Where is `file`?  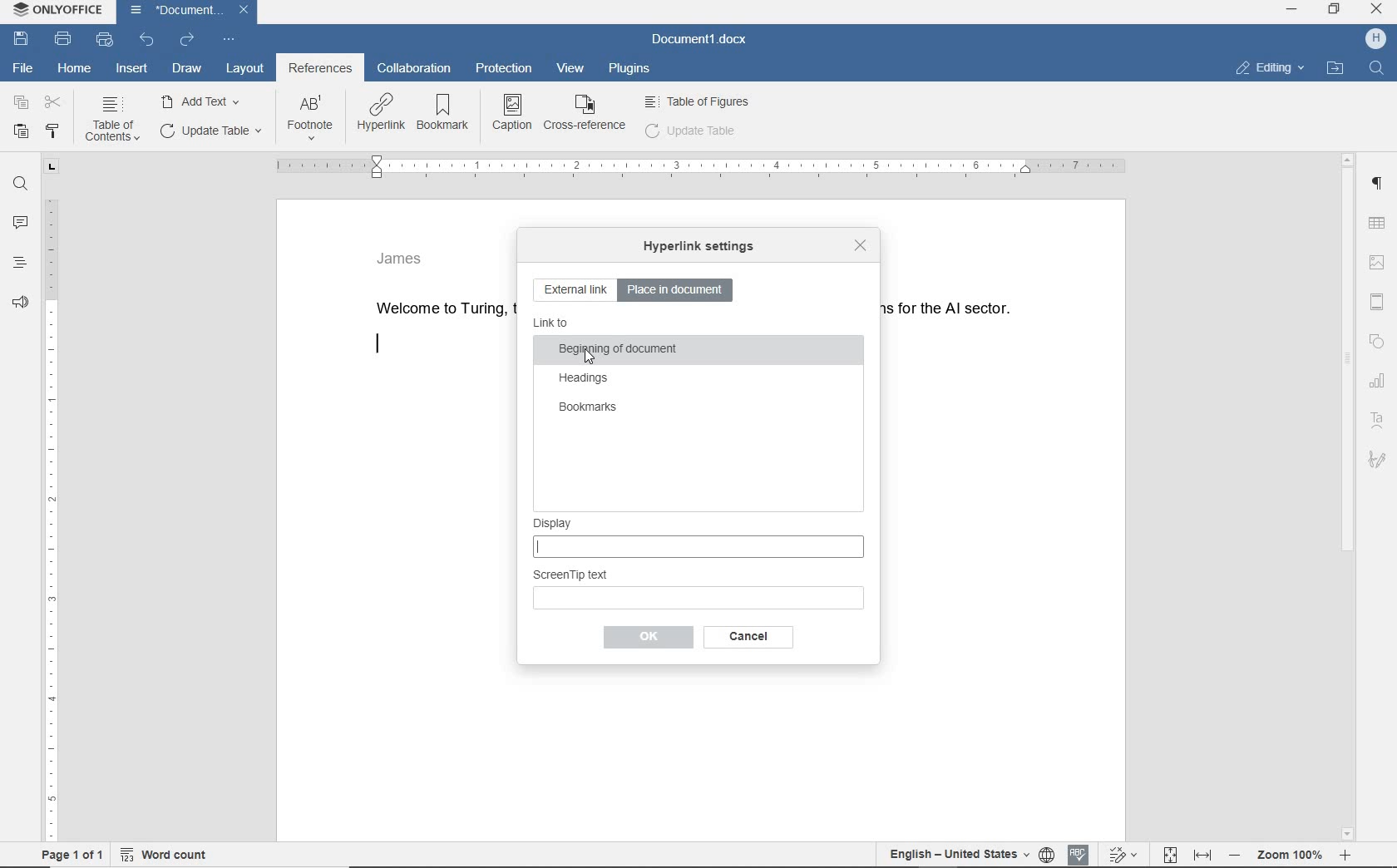
file is located at coordinates (23, 68).